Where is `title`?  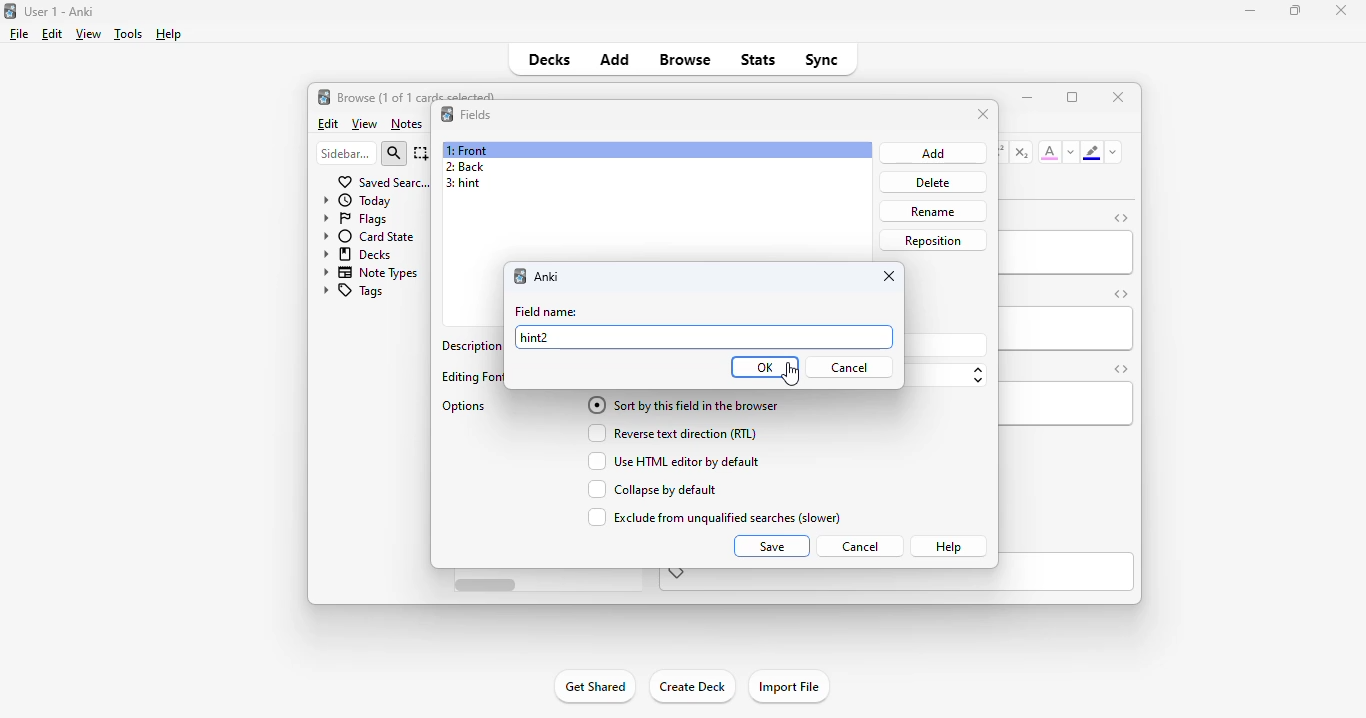
title is located at coordinates (60, 11).